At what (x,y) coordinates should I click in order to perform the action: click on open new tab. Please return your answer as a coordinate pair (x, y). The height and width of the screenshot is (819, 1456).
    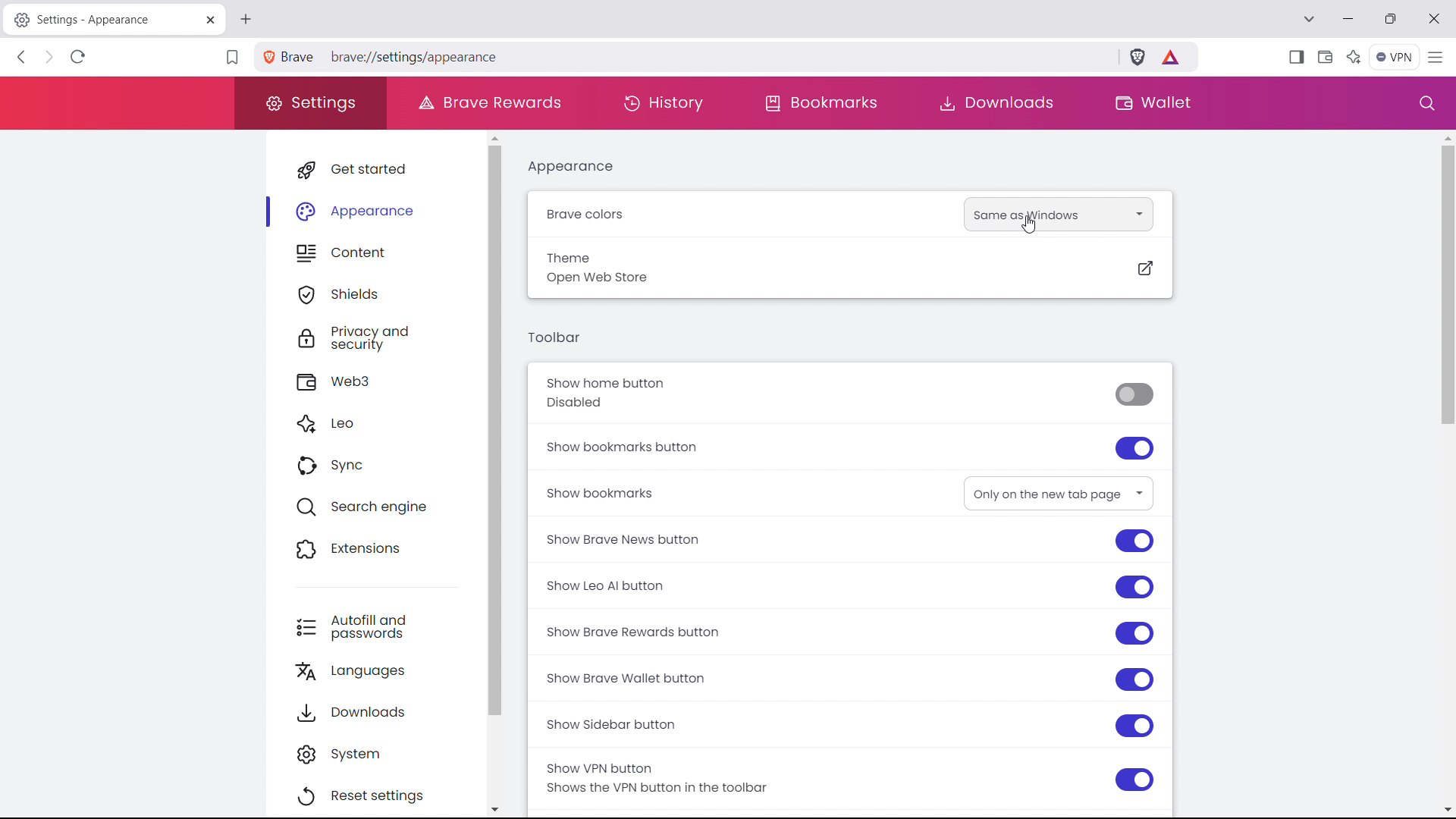
    Looking at the image, I should click on (246, 20).